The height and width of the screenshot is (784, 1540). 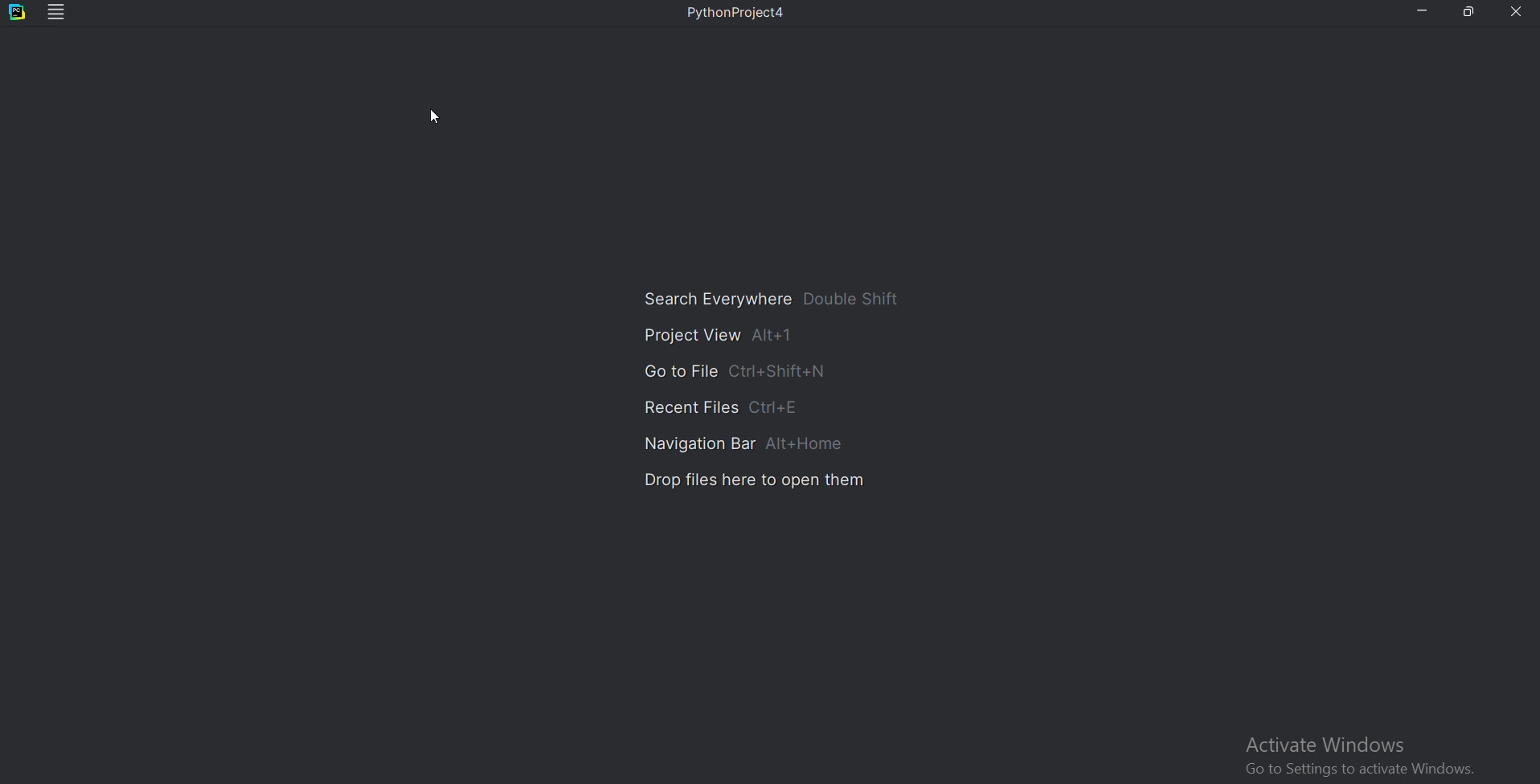 I want to click on restore down, so click(x=1470, y=13).